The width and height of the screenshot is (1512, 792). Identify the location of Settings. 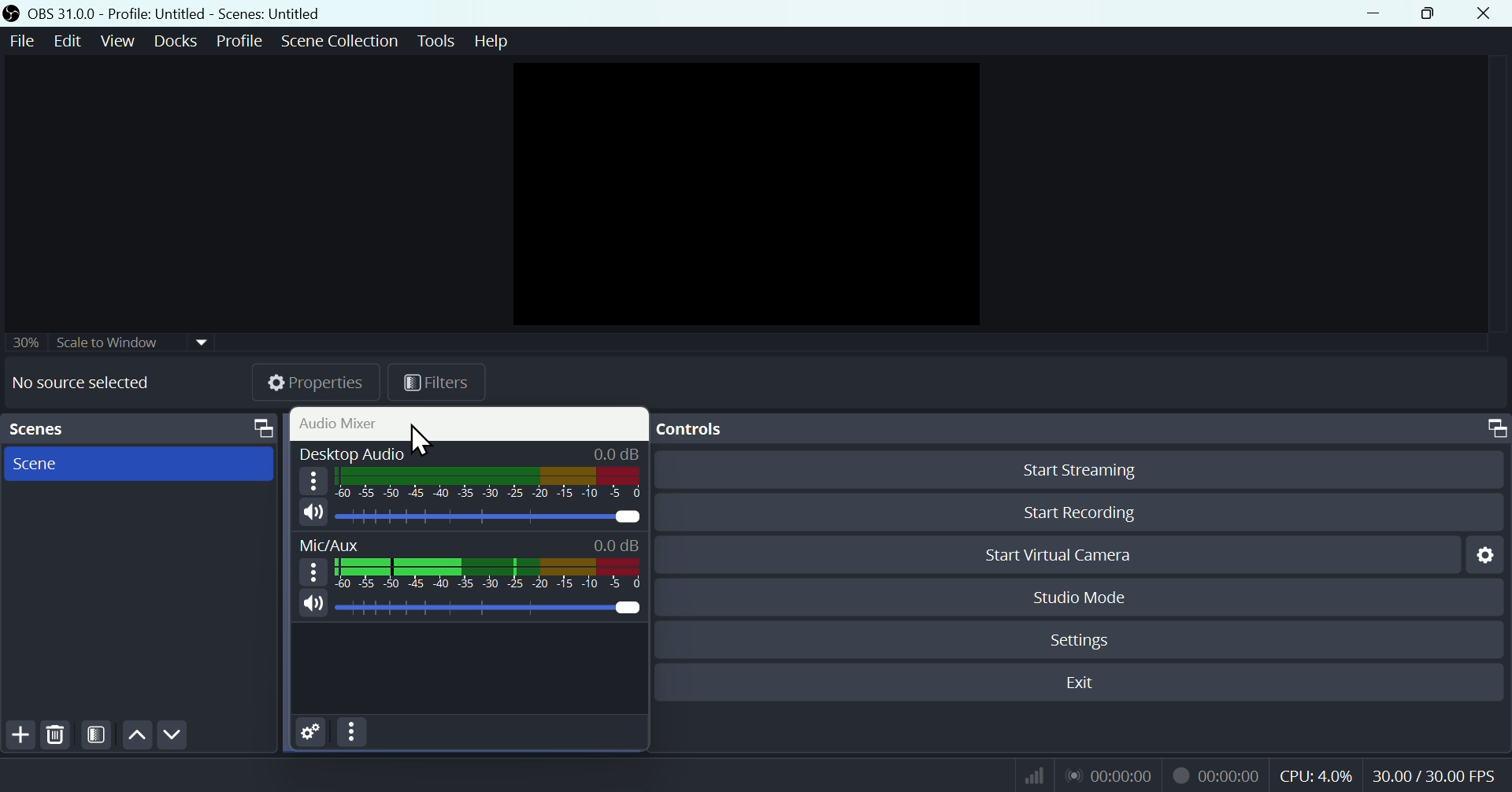
(311, 732).